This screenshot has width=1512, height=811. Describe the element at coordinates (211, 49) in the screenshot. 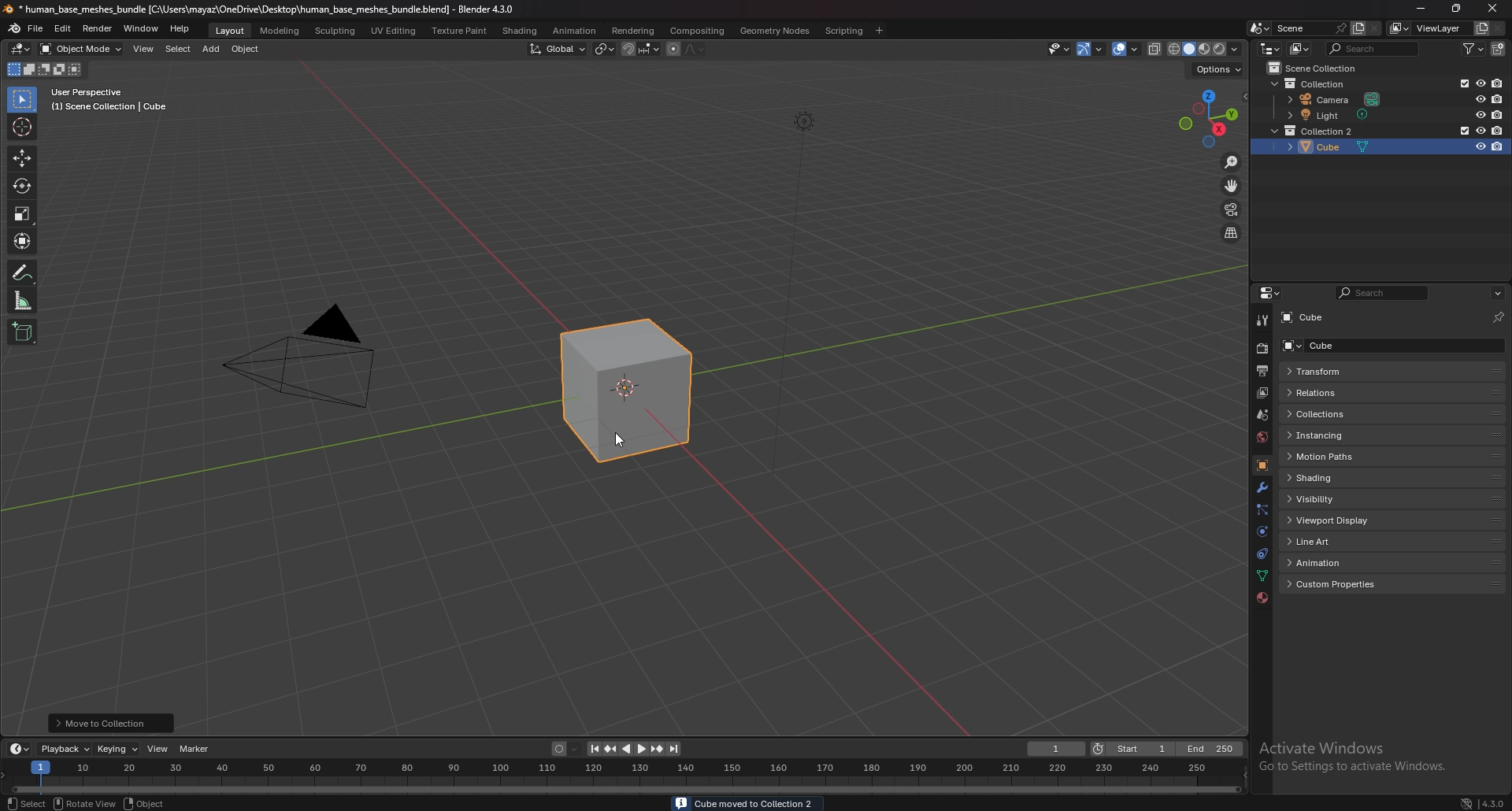

I see `add` at that location.